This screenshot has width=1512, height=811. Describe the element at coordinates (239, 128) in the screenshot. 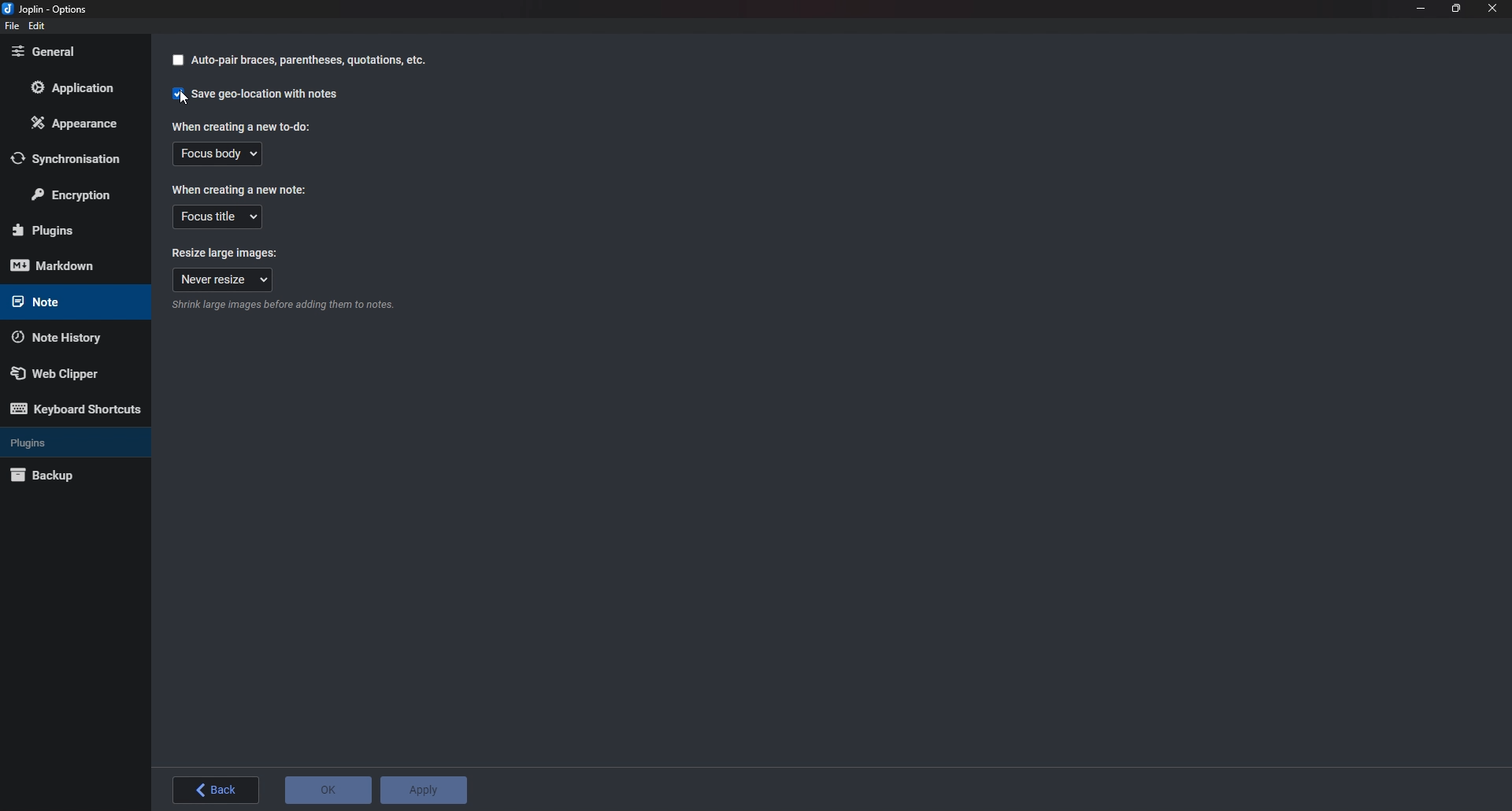

I see `When creating a new to do` at that location.